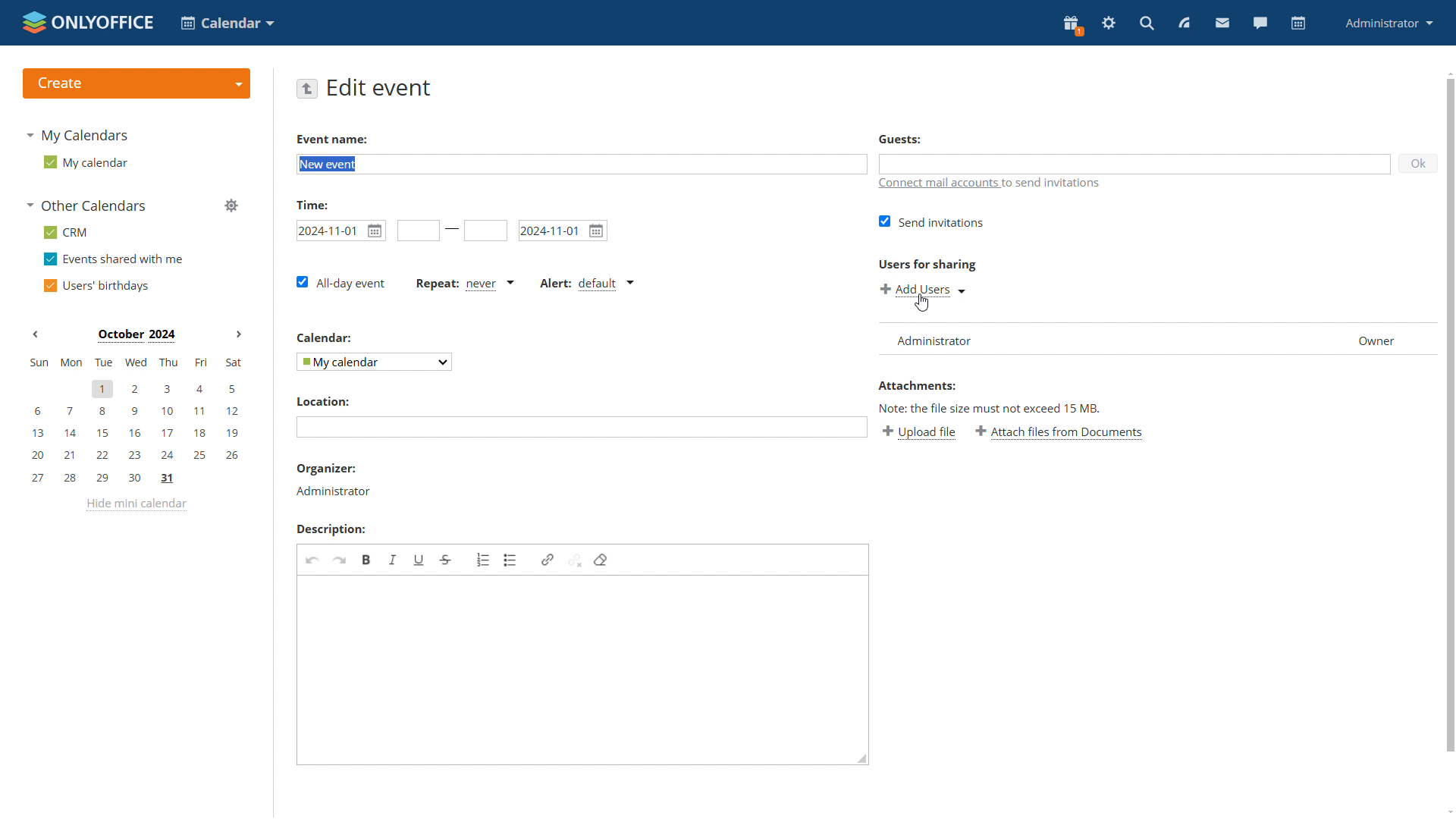 This screenshot has width=1456, height=819. Describe the element at coordinates (418, 561) in the screenshot. I see `underline` at that location.